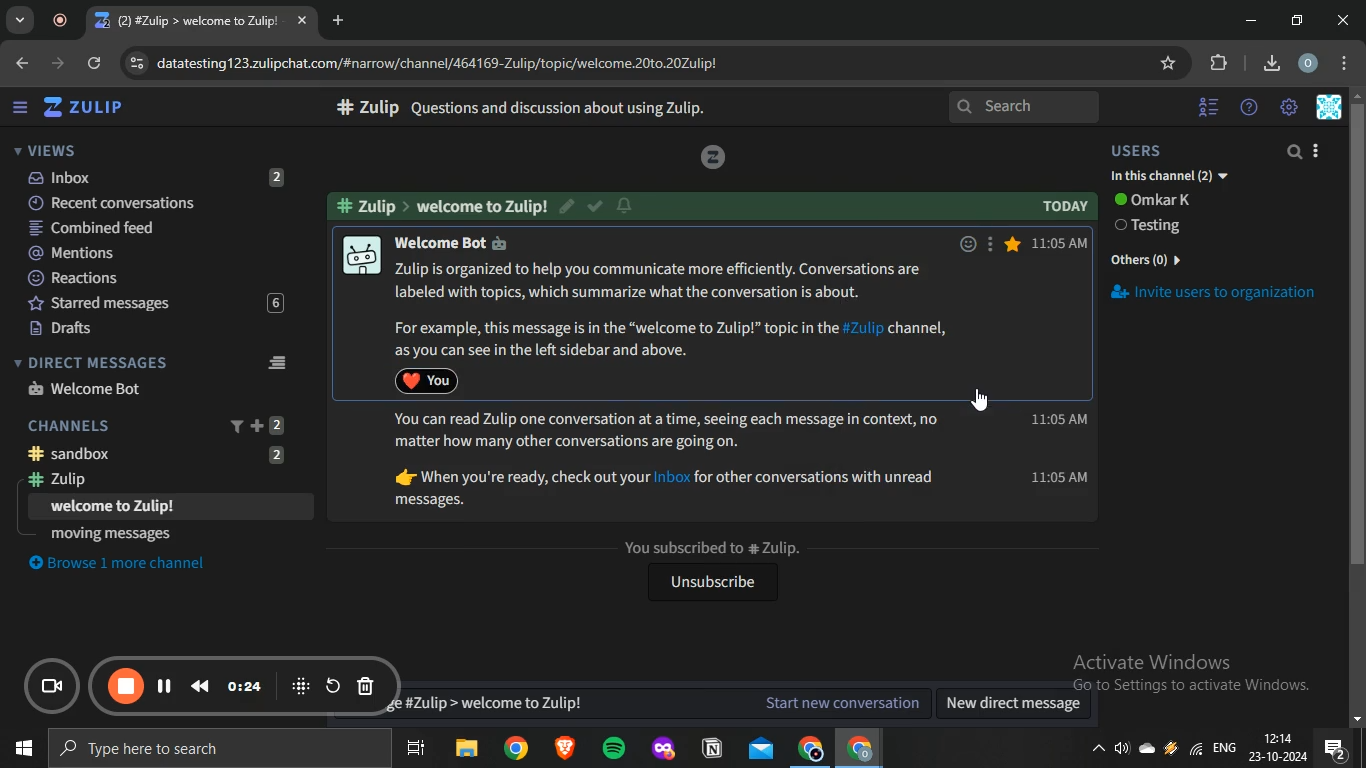 The width and height of the screenshot is (1366, 768). What do you see at coordinates (468, 750) in the screenshot?
I see `file explorer` at bounding box center [468, 750].